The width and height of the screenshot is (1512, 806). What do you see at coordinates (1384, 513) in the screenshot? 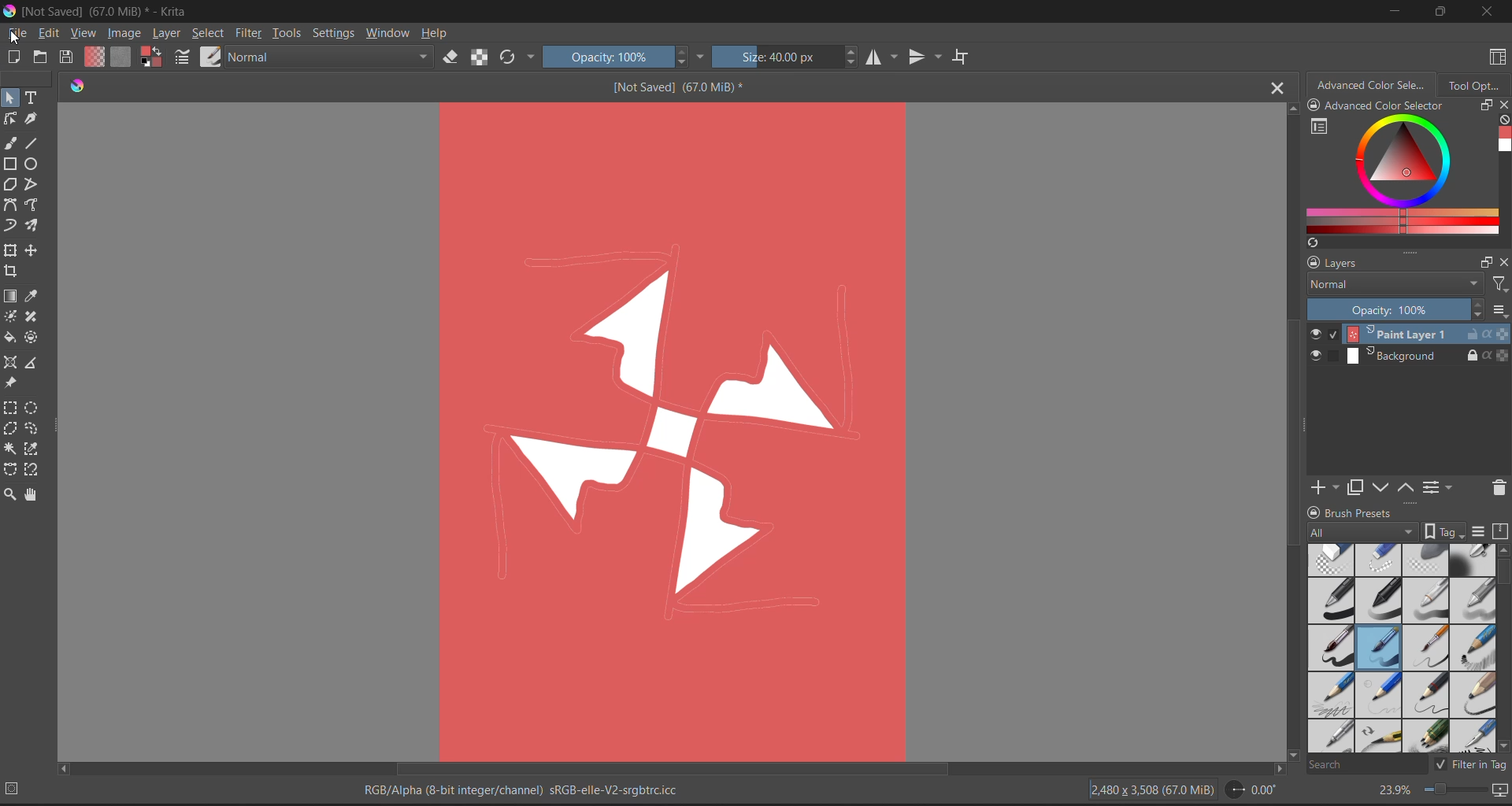
I see `Brush presets` at bounding box center [1384, 513].